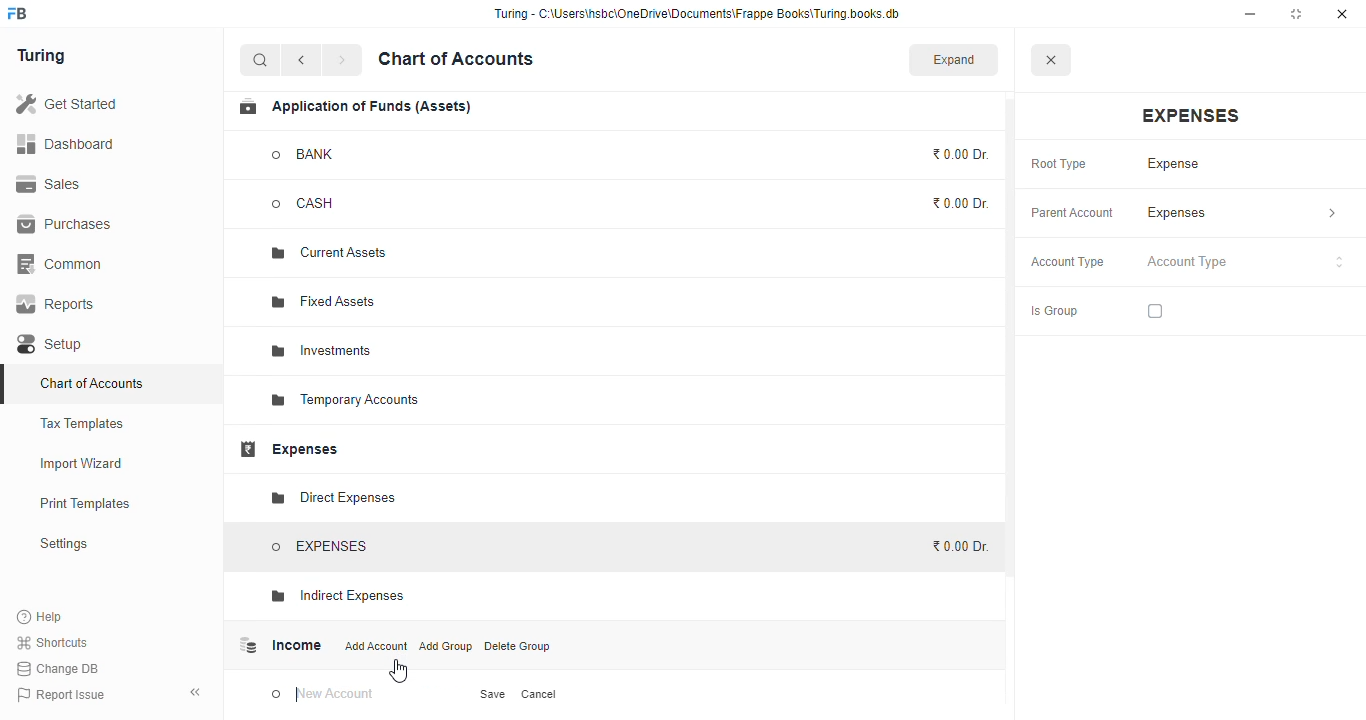  I want to click on income, so click(278, 645).